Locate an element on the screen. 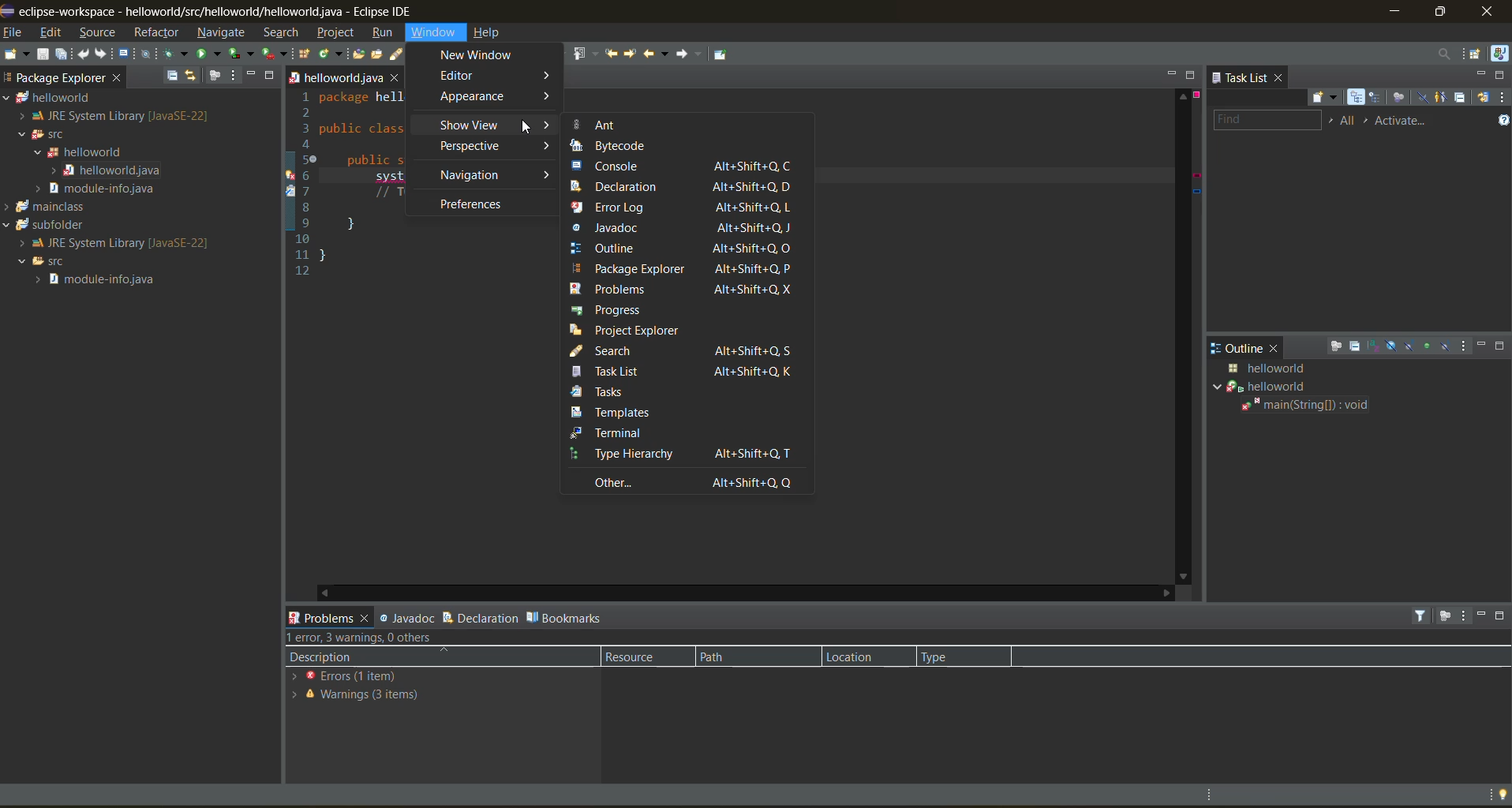 The width and height of the screenshot is (1512, 808). location is located at coordinates (864, 658).